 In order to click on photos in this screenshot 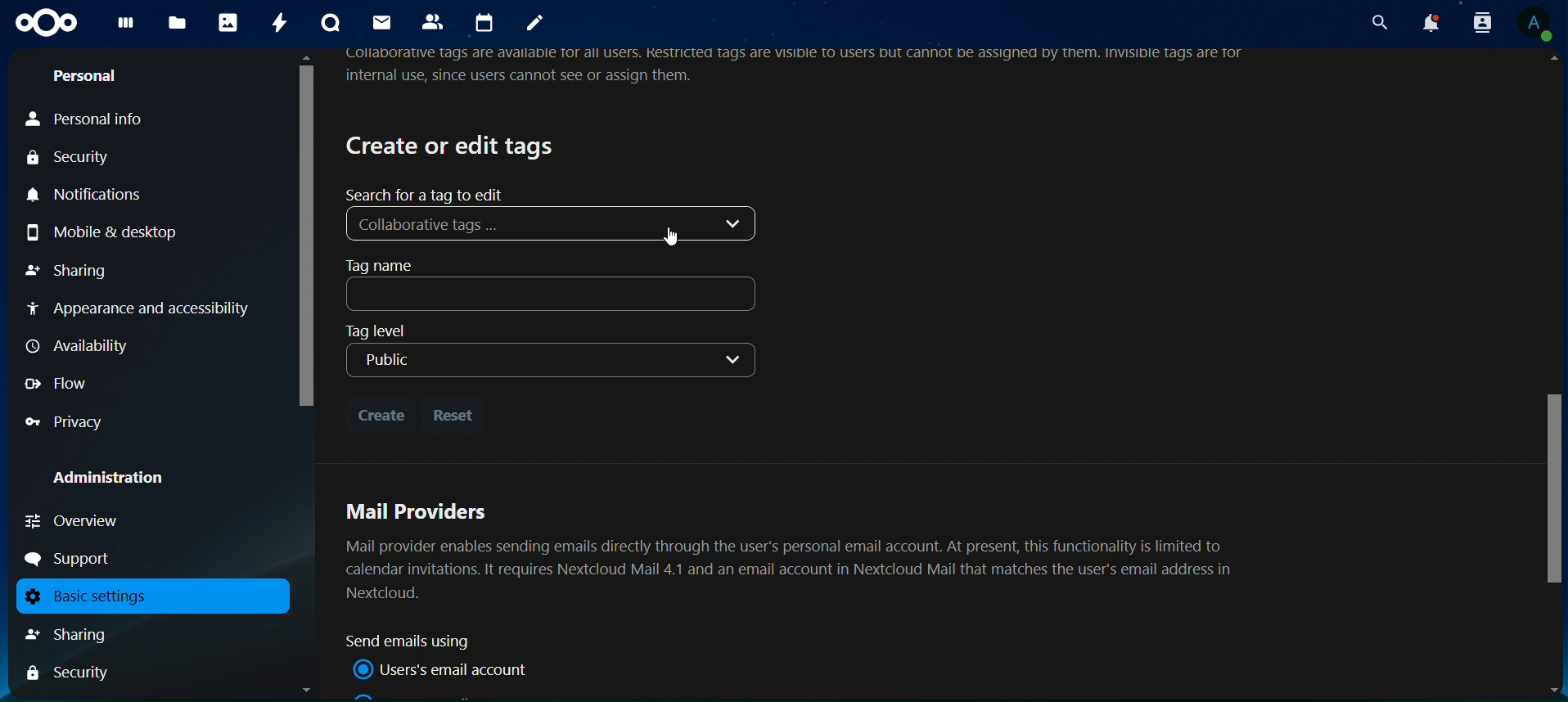, I will do `click(228, 23)`.